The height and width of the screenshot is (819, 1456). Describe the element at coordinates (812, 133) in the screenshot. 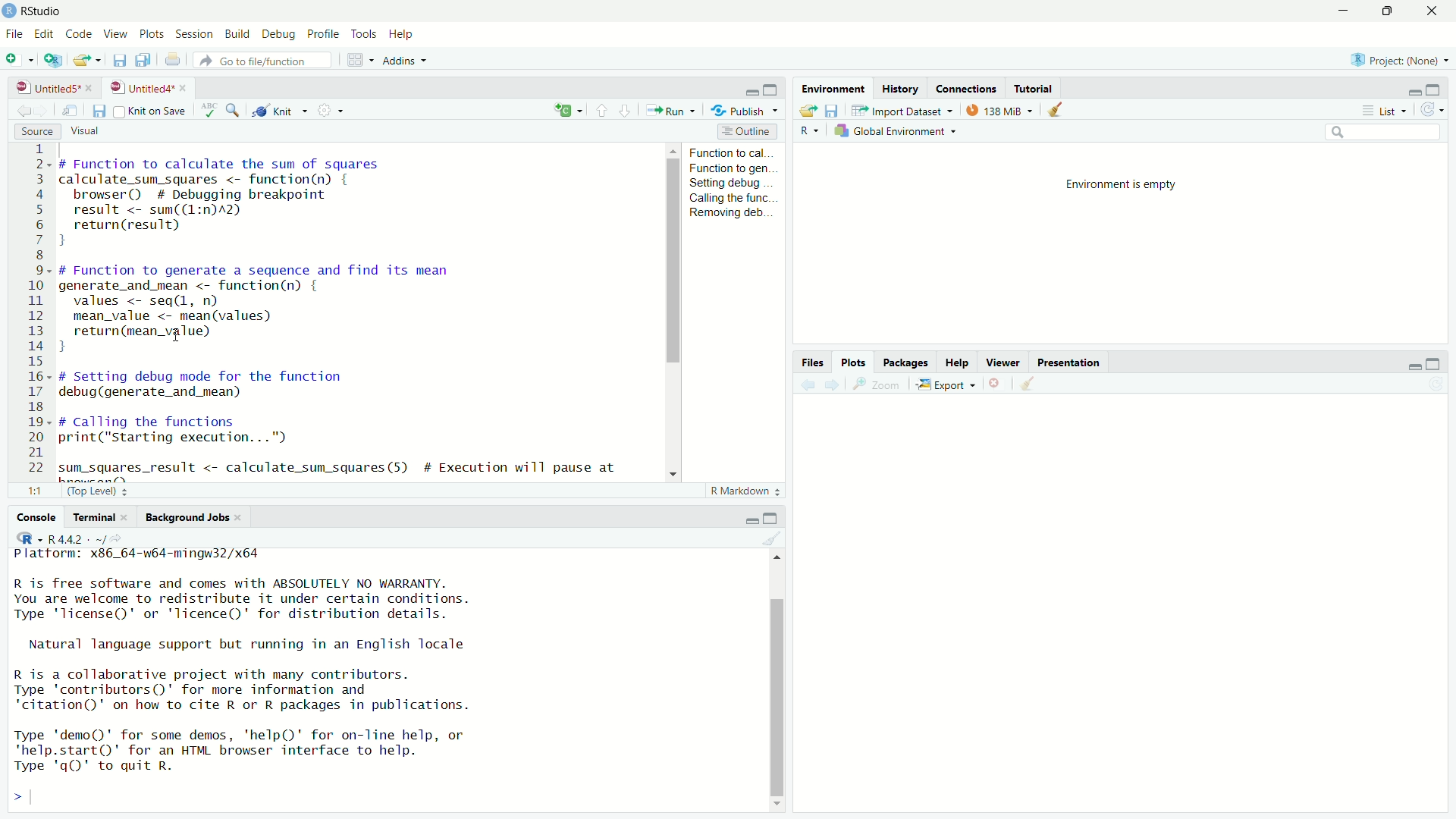

I see `language select` at that location.